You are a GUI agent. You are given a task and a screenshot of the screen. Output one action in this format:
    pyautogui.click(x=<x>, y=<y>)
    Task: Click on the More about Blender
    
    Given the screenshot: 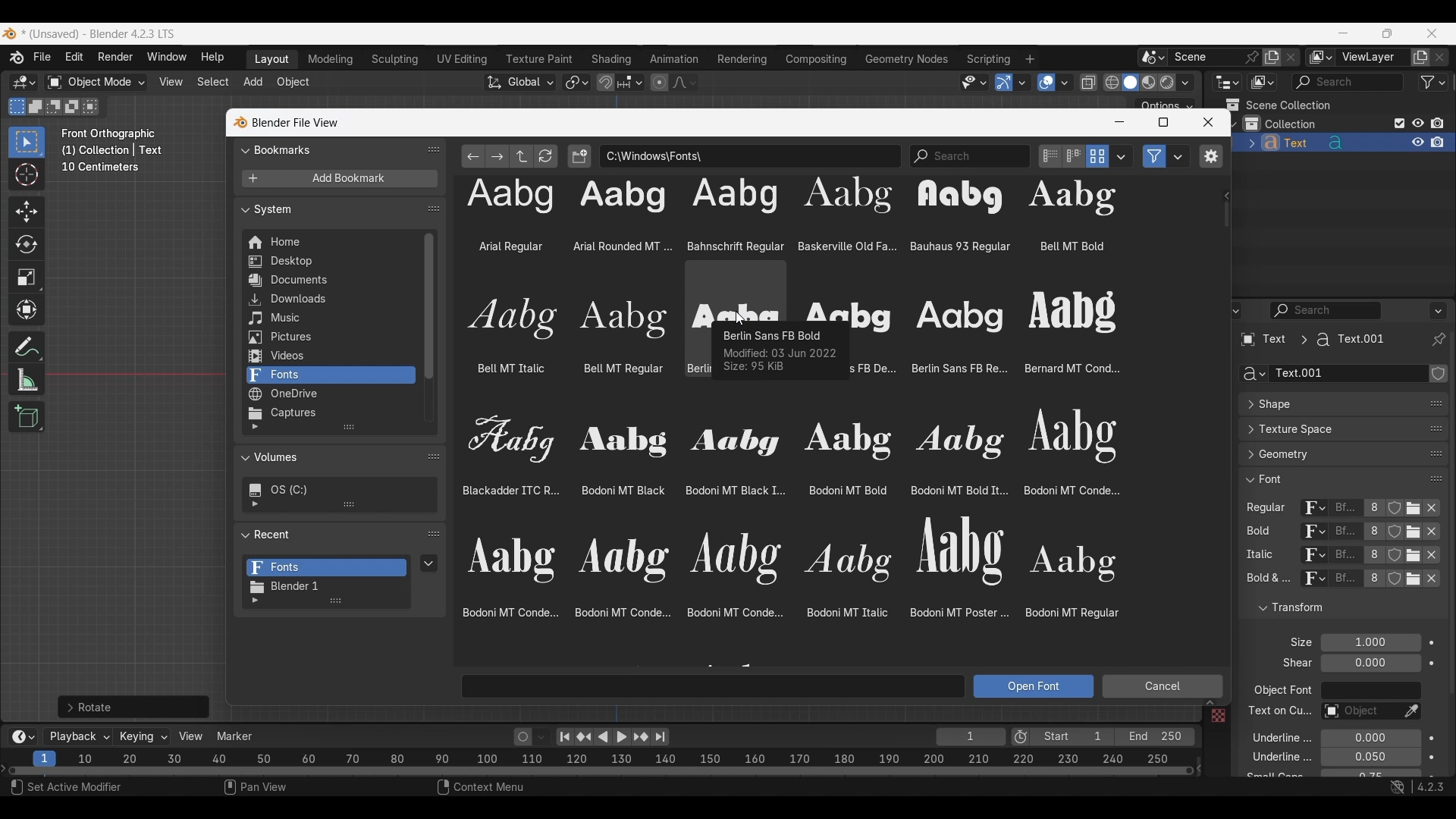 What is the action you would take?
    pyautogui.click(x=17, y=58)
    